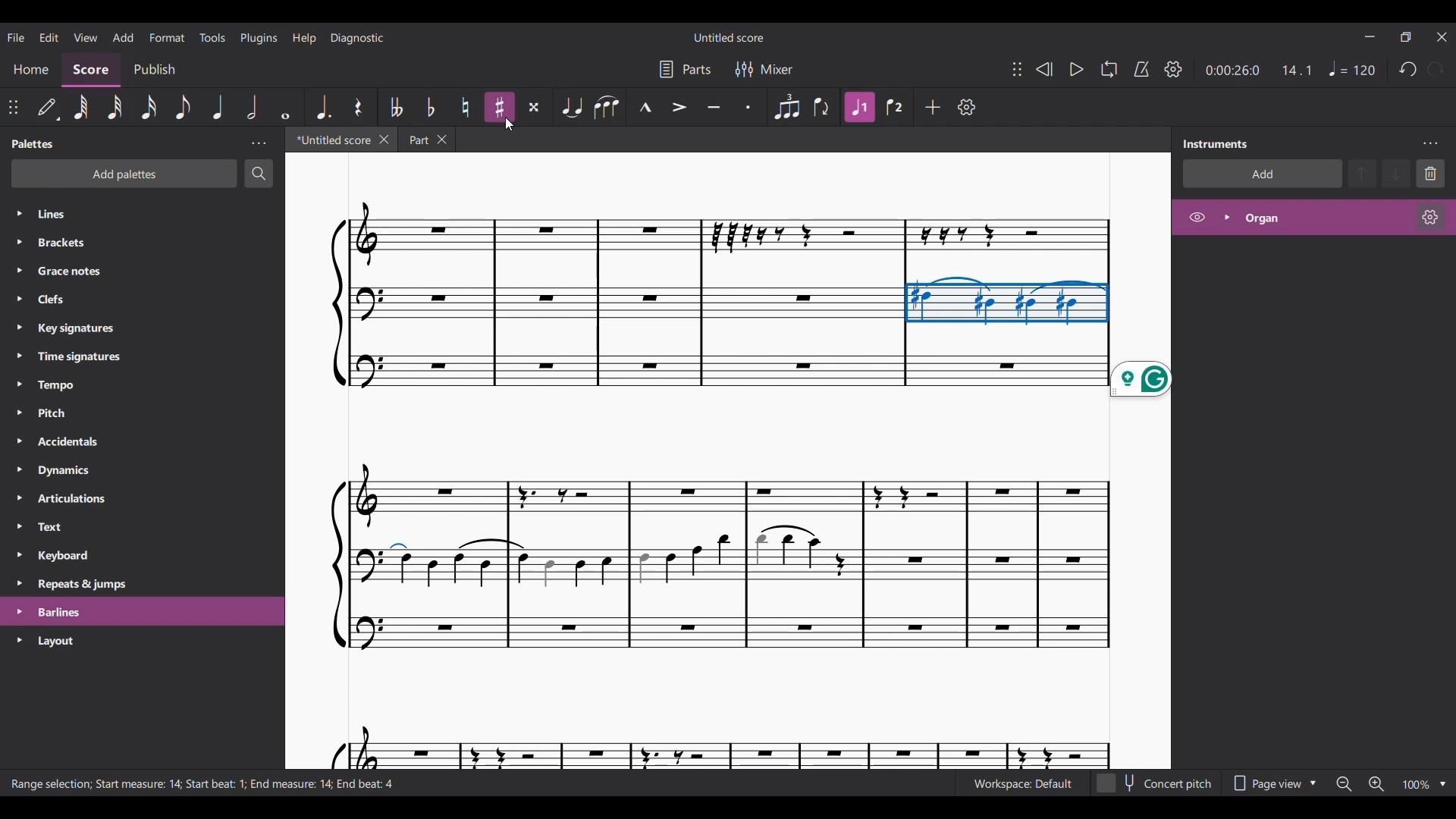 The height and width of the screenshot is (819, 1456). What do you see at coordinates (116, 108) in the screenshot?
I see `32nd note` at bounding box center [116, 108].